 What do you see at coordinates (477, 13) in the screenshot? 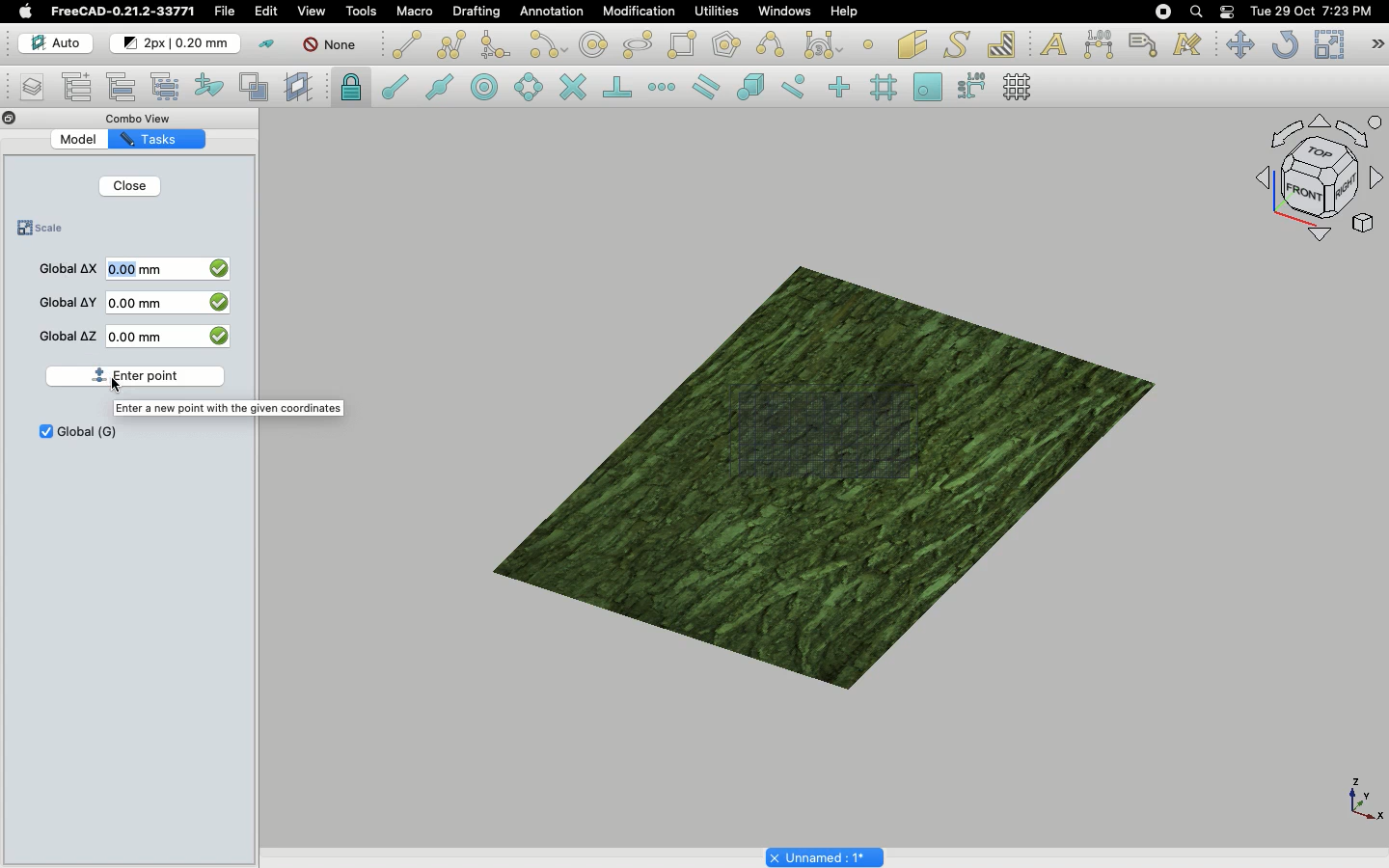
I see `Drafting` at bounding box center [477, 13].